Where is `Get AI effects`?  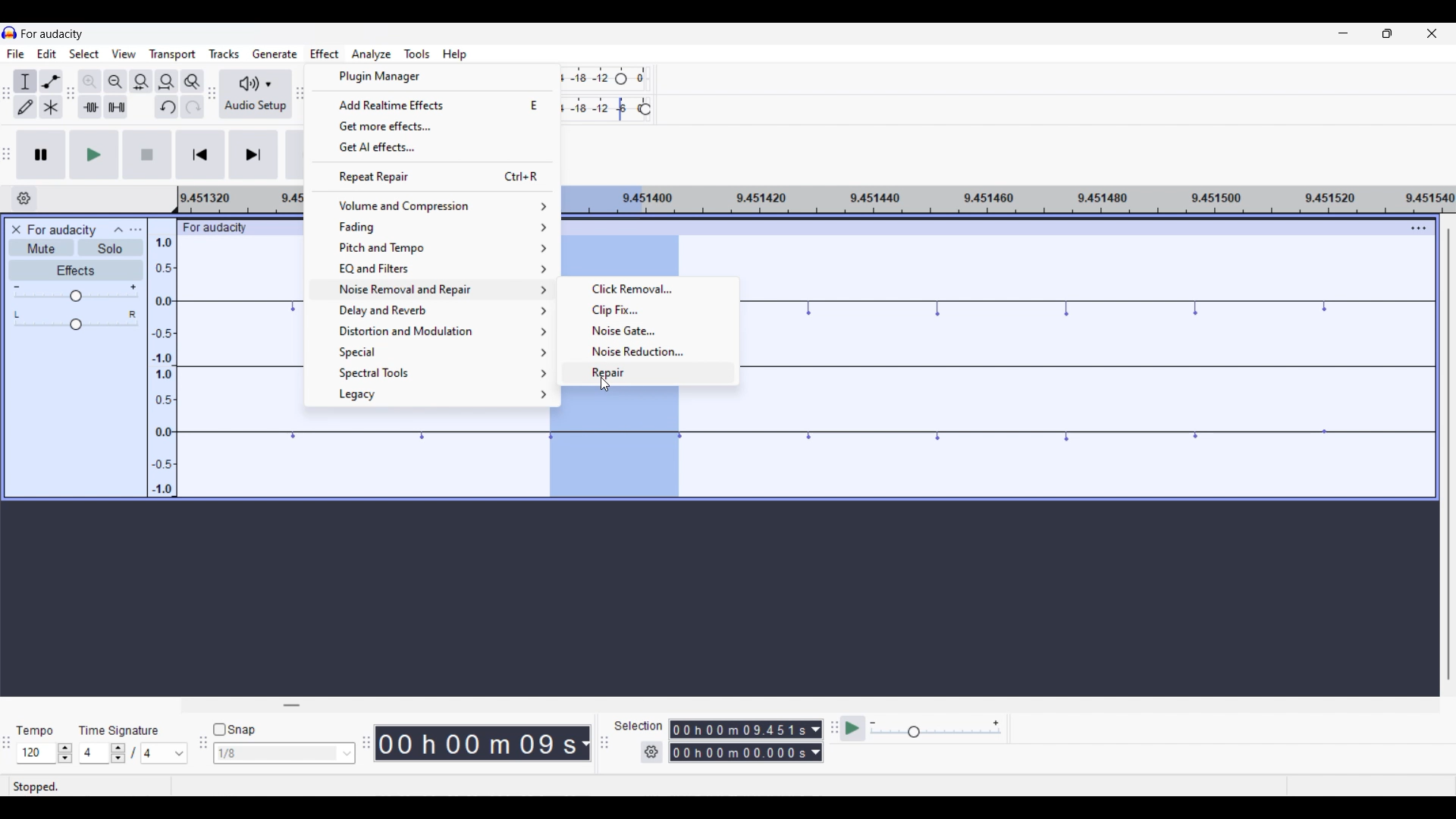 Get AI effects is located at coordinates (433, 148).